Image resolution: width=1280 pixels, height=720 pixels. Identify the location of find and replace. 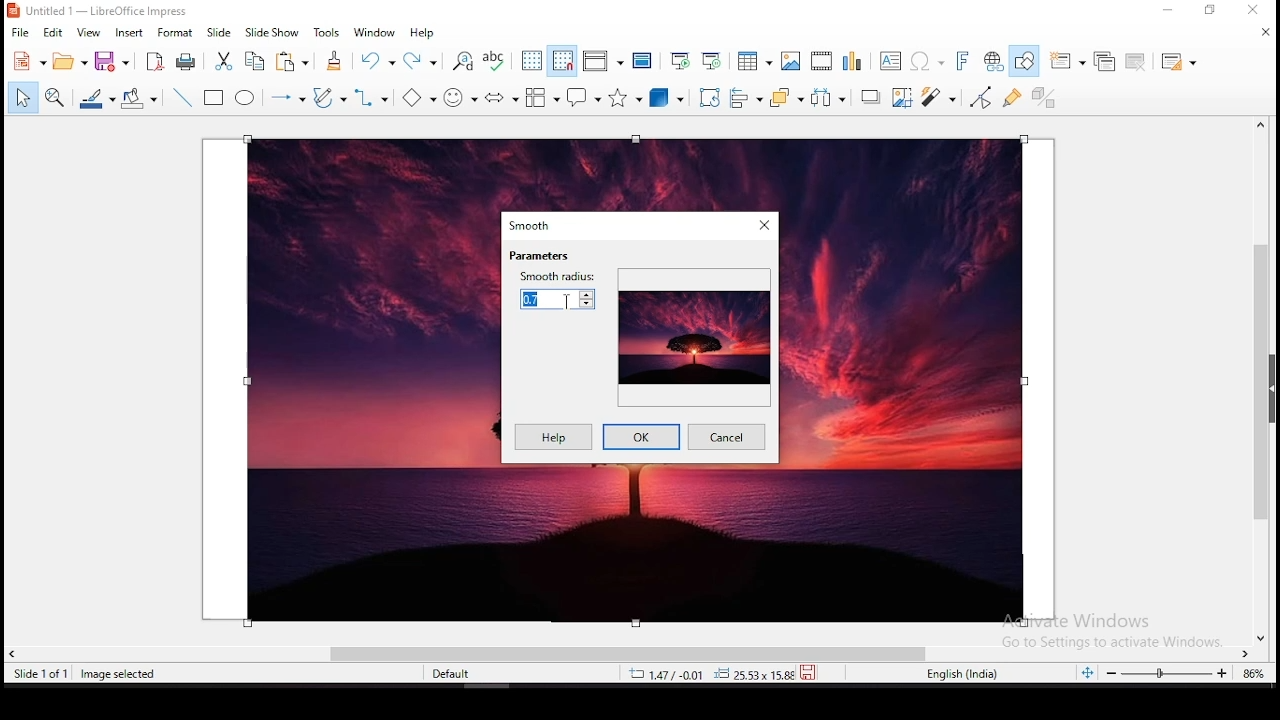
(464, 62).